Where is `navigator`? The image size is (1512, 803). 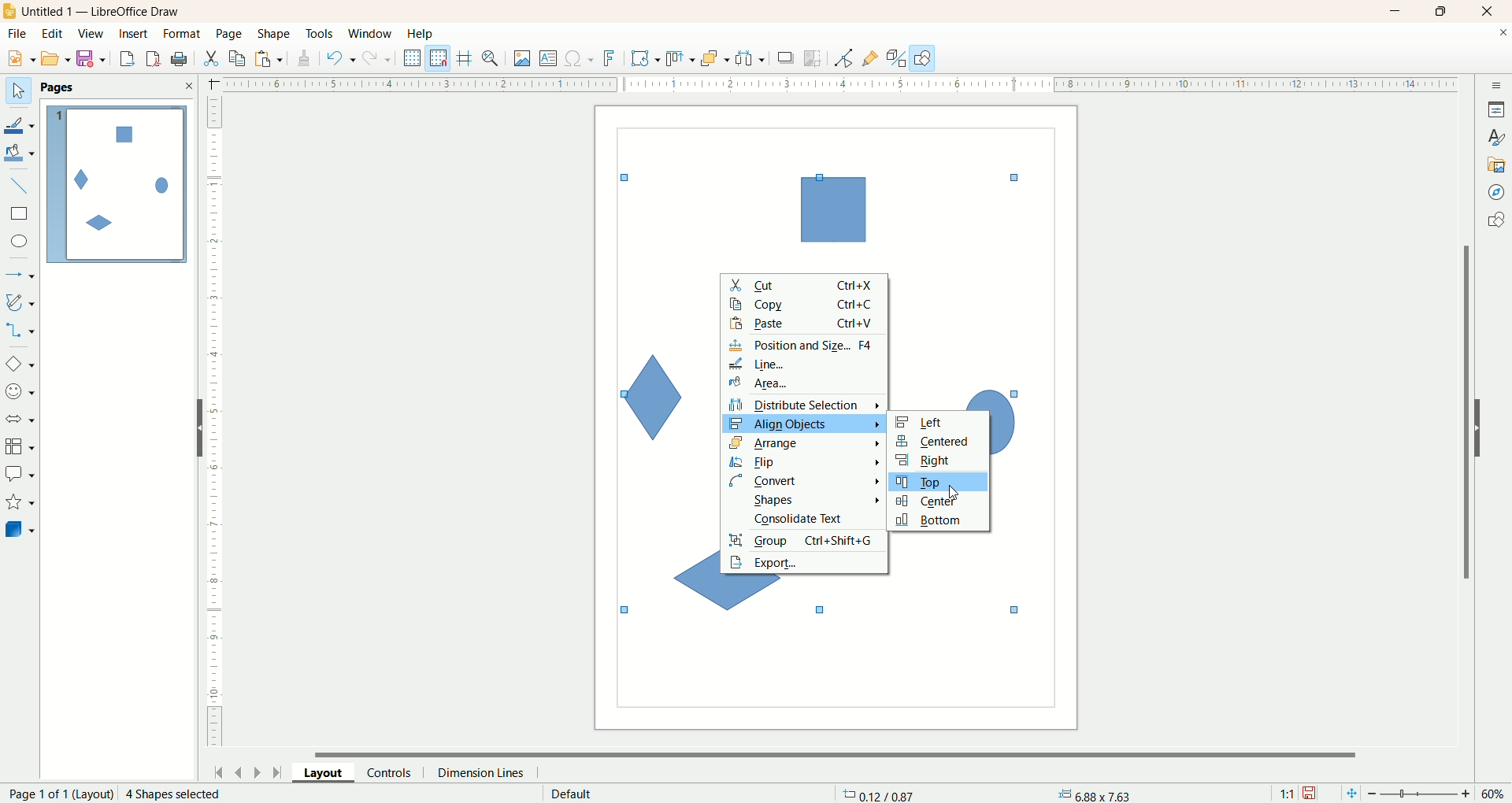
navigator is located at coordinates (1497, 193).